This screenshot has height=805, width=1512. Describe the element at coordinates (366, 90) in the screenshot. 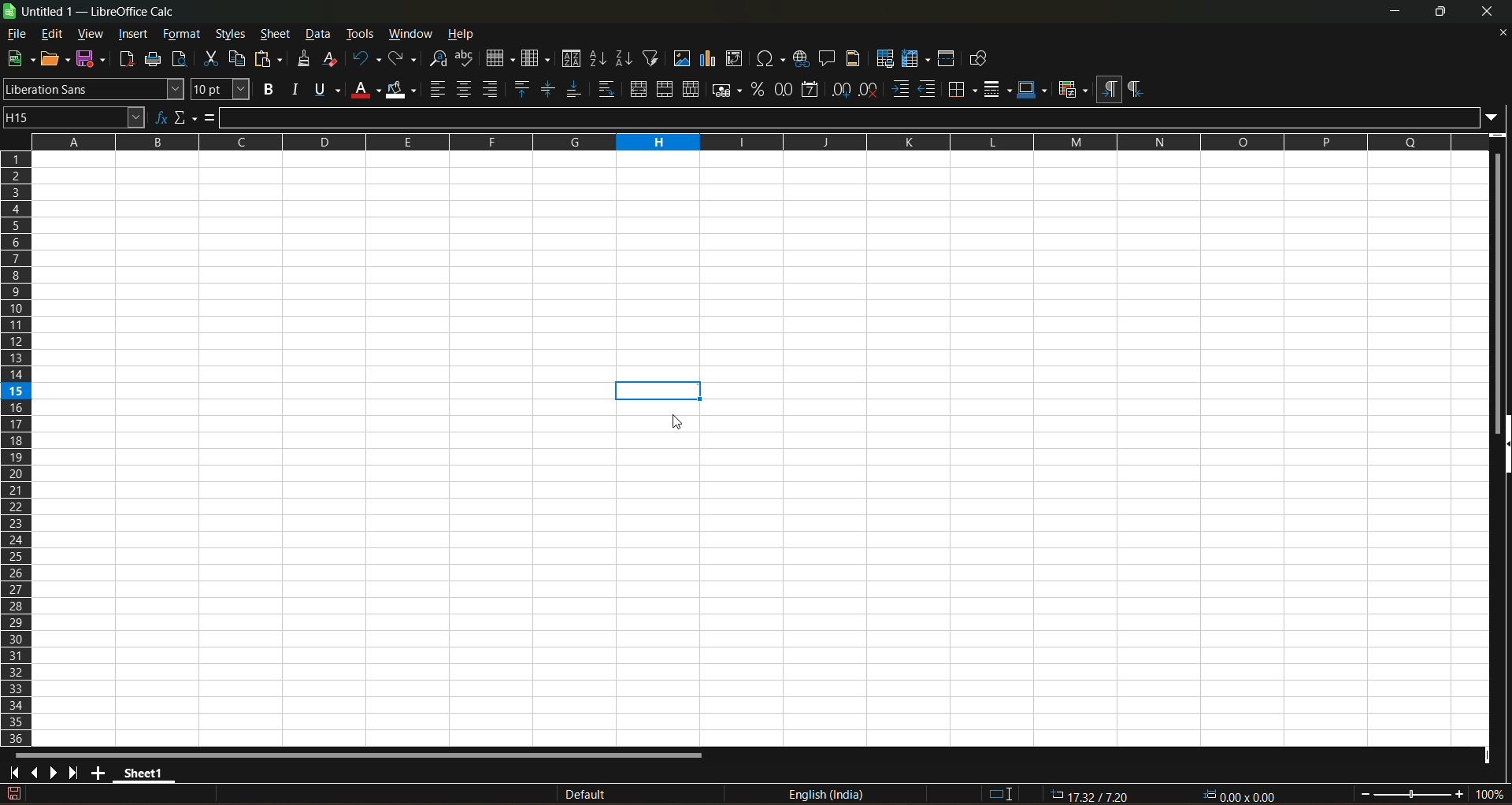

I see `font color` at that location.